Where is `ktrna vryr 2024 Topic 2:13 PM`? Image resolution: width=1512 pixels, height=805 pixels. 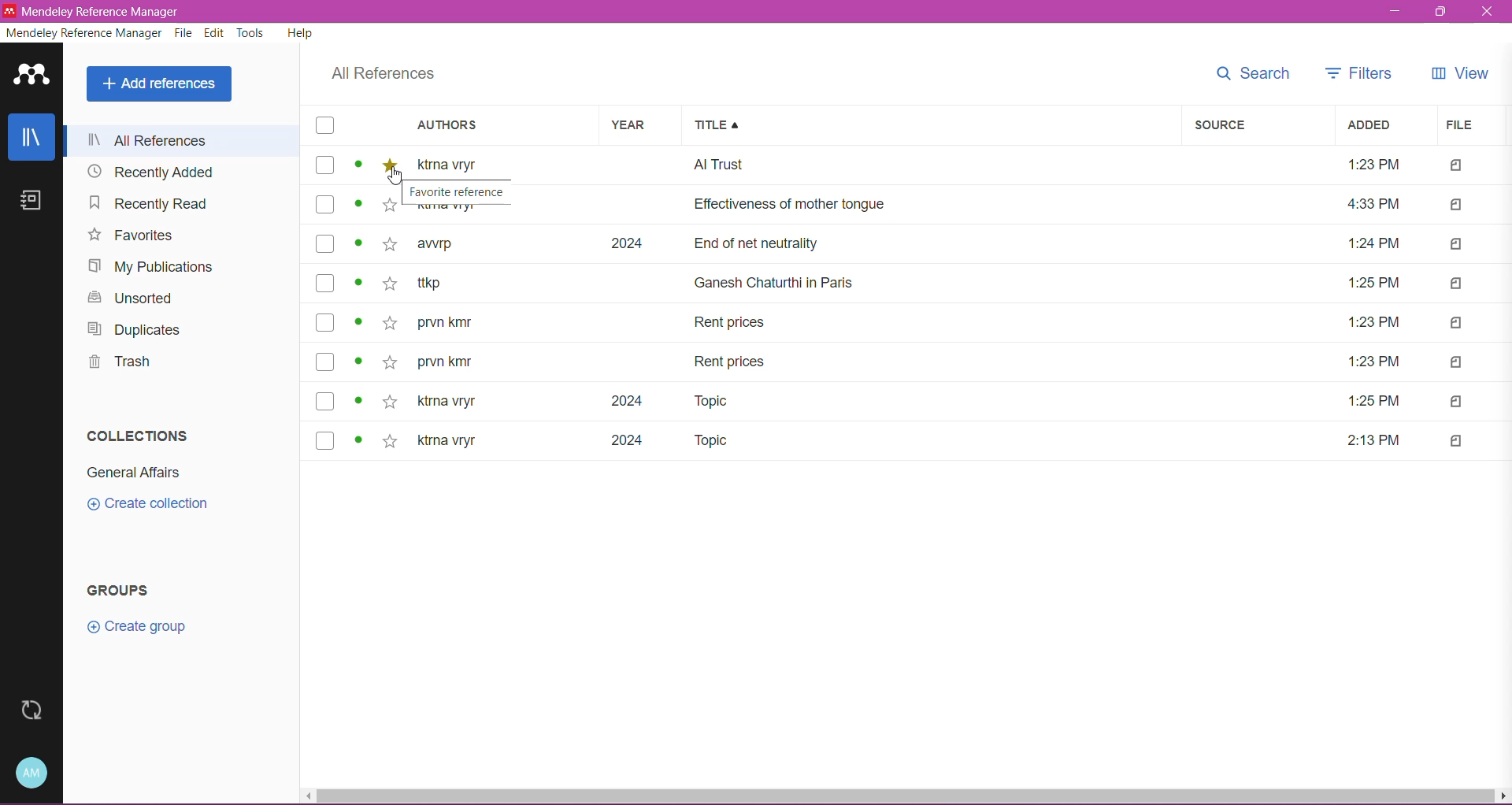
ktrna vryr 2024 Topic 2:13 PM is located at coordinates (912, 441).